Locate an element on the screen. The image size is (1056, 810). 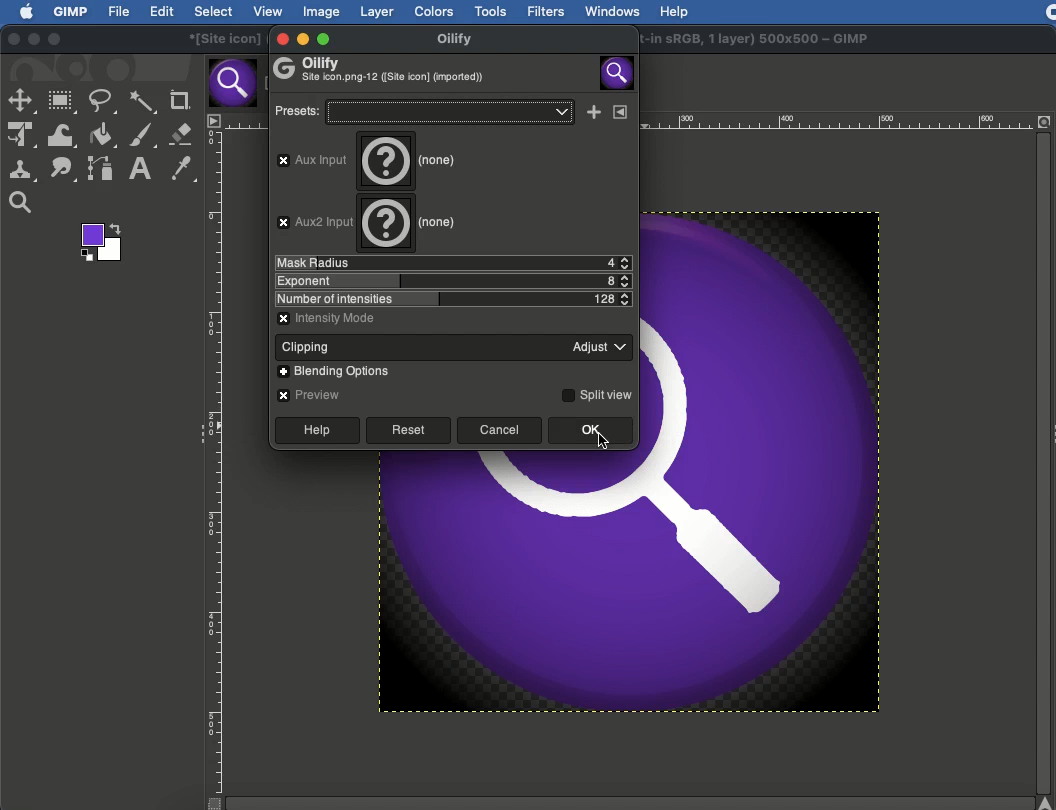
Eraser is located at coordinates (180, 133).